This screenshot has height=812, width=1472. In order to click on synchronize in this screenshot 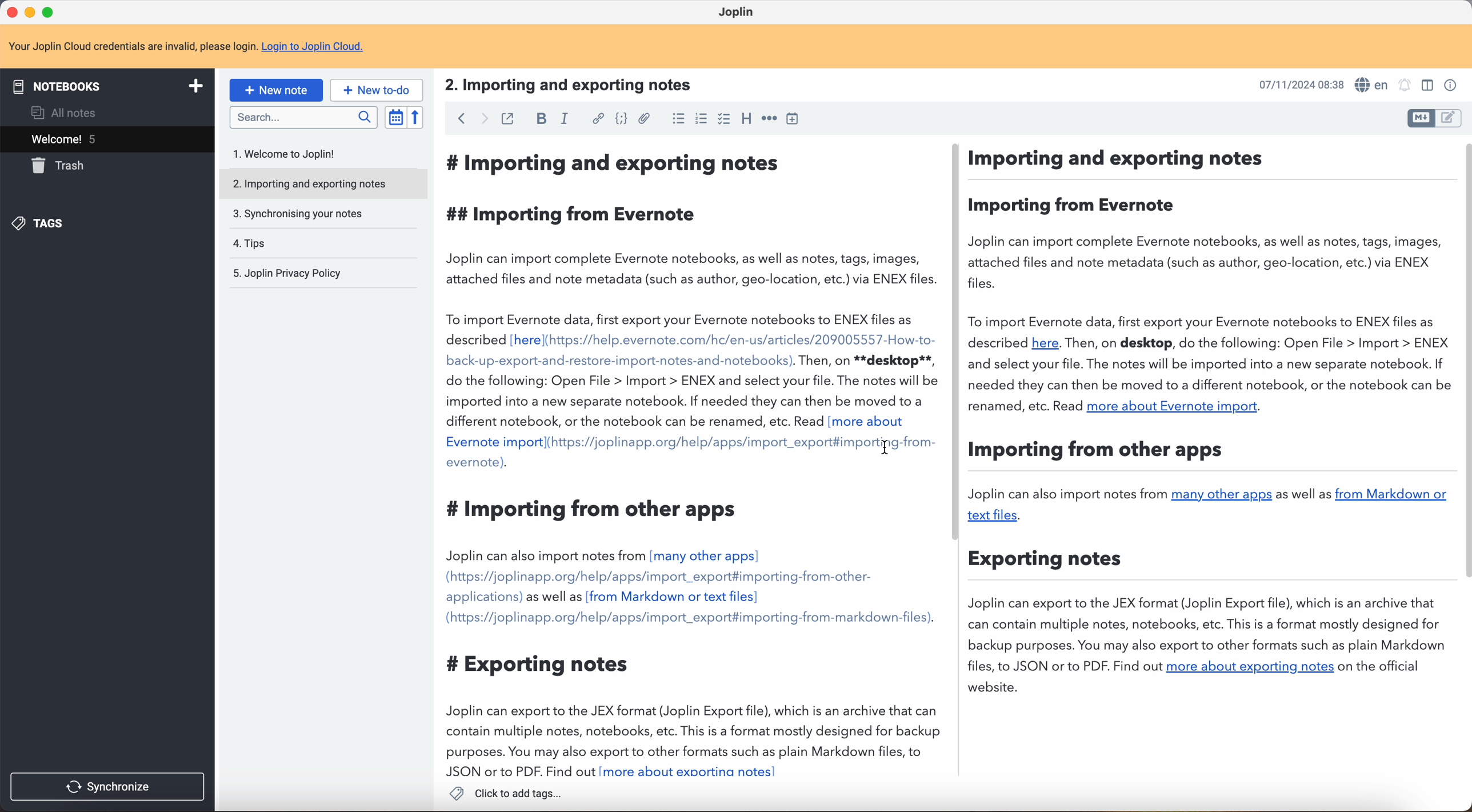, I will do `click(107, 787)`.